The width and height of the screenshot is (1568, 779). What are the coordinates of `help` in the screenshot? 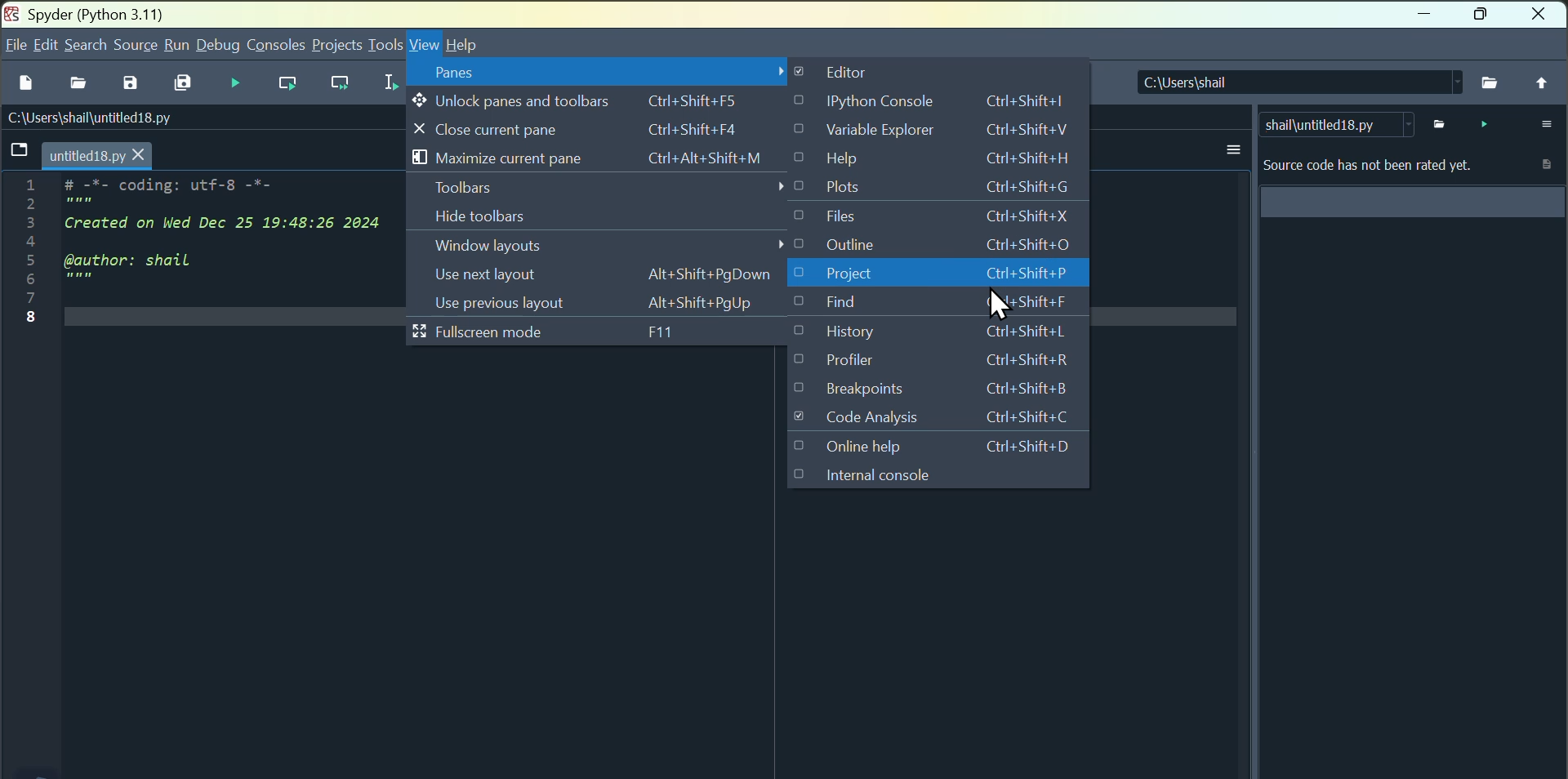 It's located at (474, 43).